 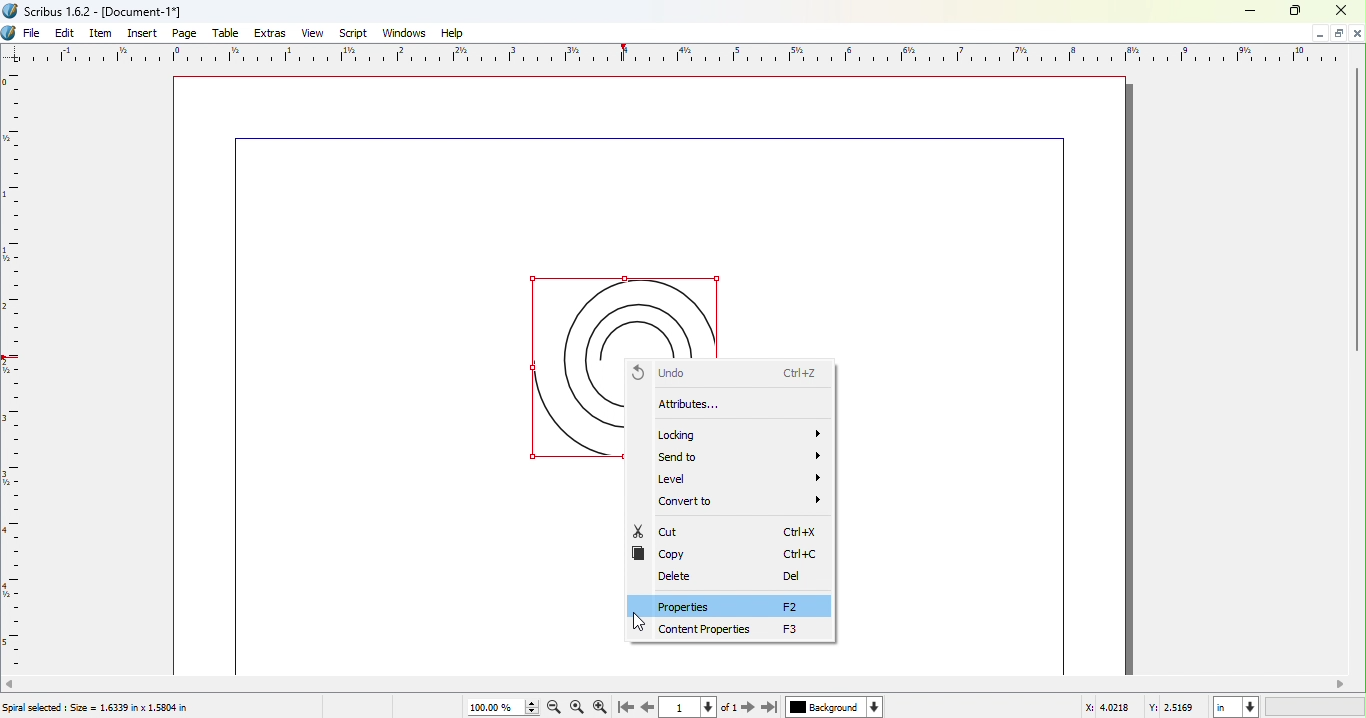 I want to click on Zoom to 100%, so click(x=578, y=707).